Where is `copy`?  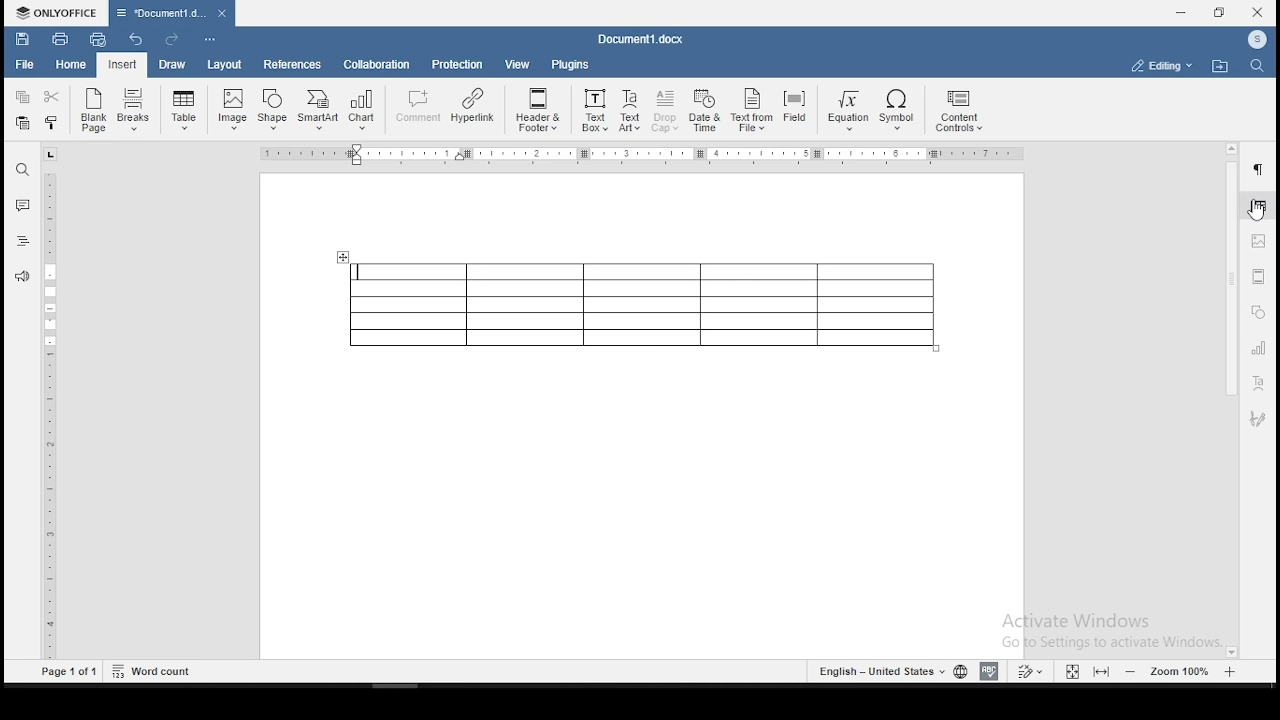 copy is located at coordinates (23, 97).